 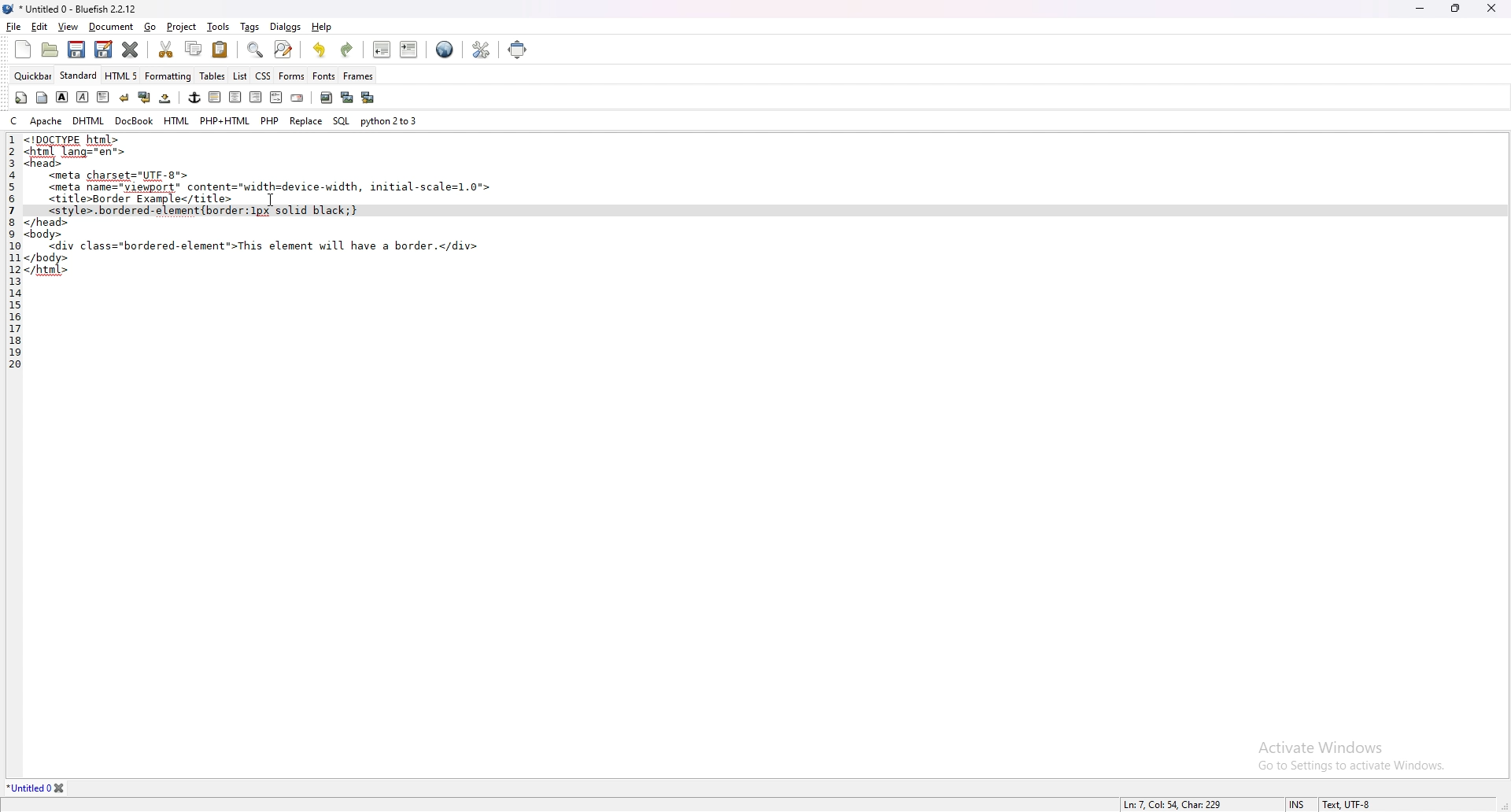 What do you see at coordinates (82, 97) in the screenshot?
I see `italic` at bounding box center [82, 97].